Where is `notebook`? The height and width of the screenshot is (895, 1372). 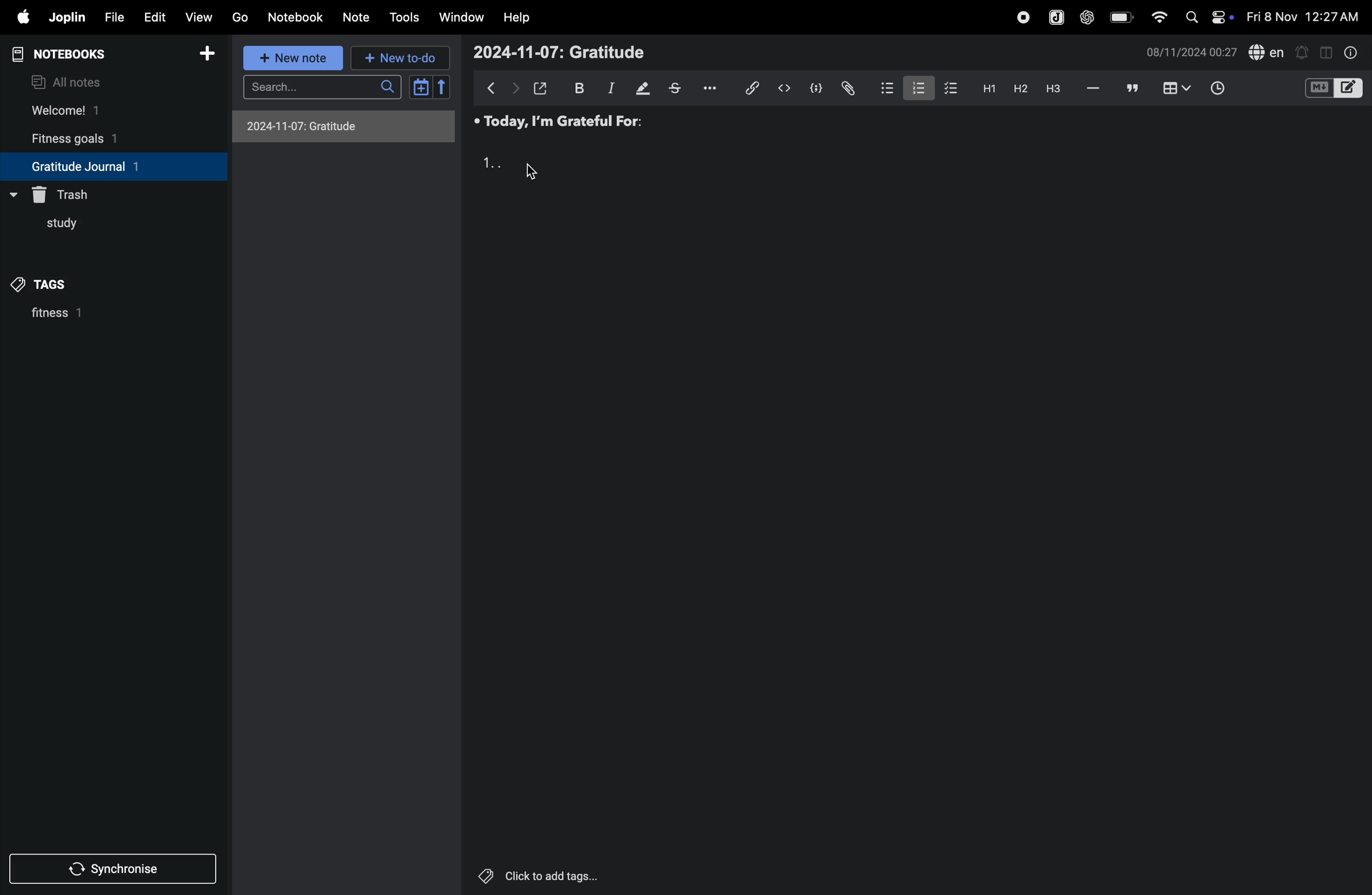 notebook is located at coordinates (296, 17).